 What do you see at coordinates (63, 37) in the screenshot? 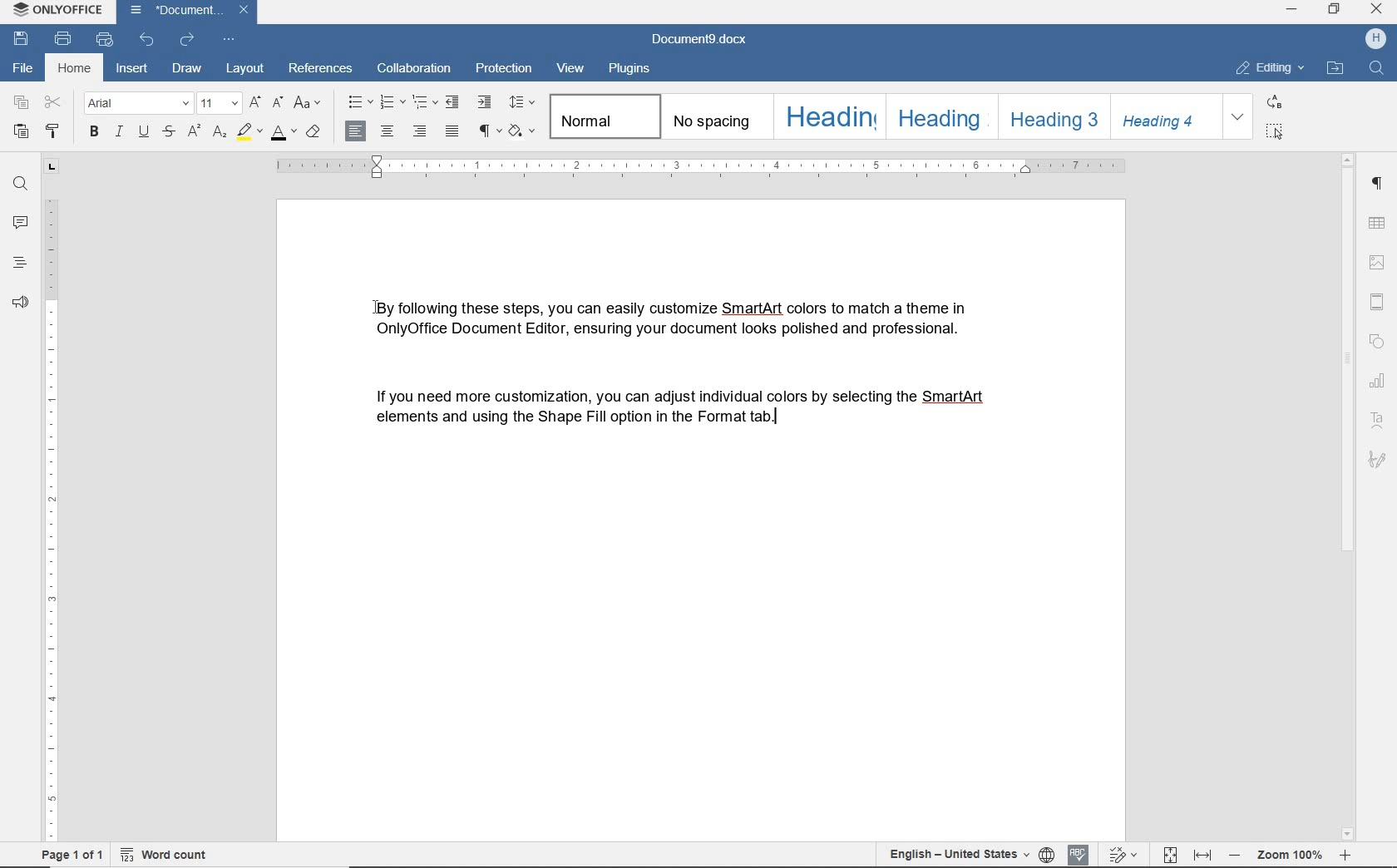
I see `print` at bounding box center [63, 37].